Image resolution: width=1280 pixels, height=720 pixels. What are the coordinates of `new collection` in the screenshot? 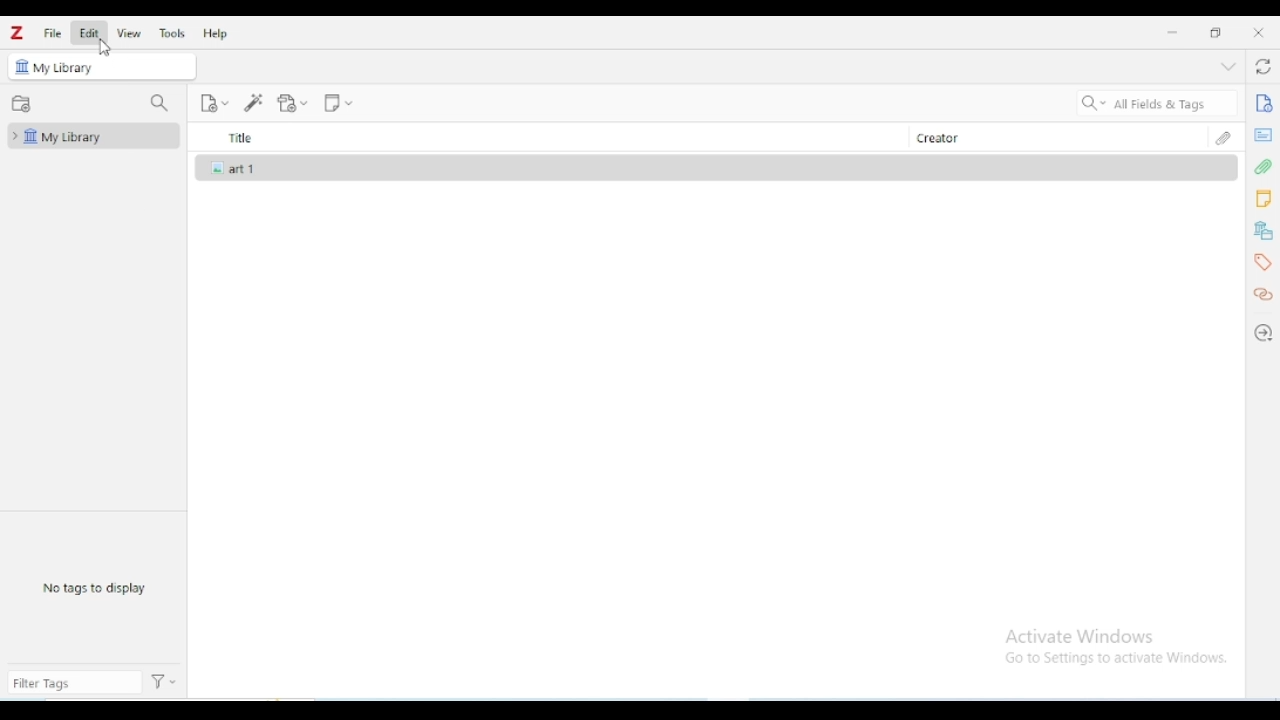 It's located at (21, 104).